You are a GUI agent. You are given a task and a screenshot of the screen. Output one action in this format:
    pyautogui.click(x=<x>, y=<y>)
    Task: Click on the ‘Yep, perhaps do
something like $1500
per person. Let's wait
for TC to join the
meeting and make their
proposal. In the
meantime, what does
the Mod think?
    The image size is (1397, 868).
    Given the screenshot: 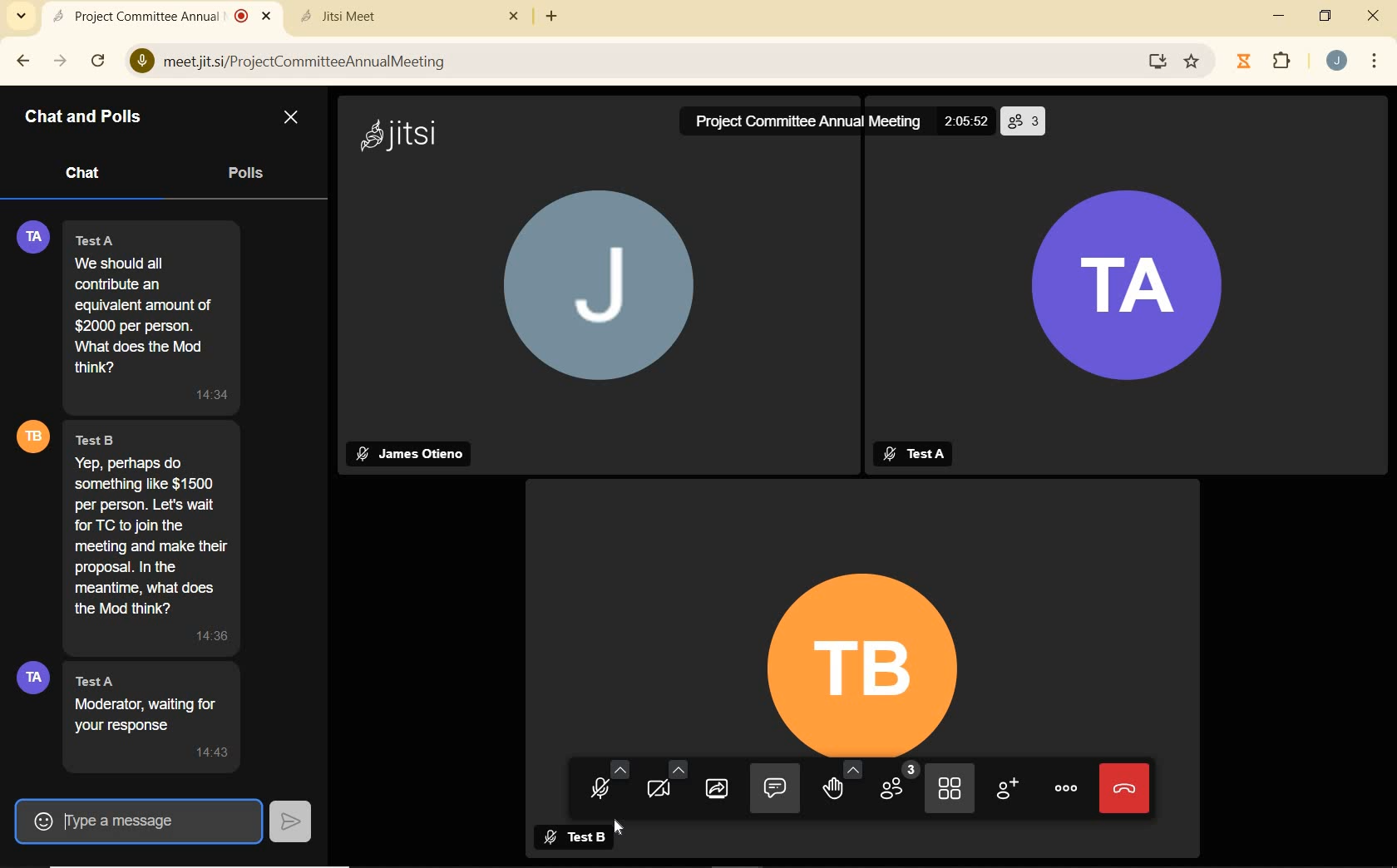 What is the action you would take?
    pyautogui.click(x=157, y=535)
    